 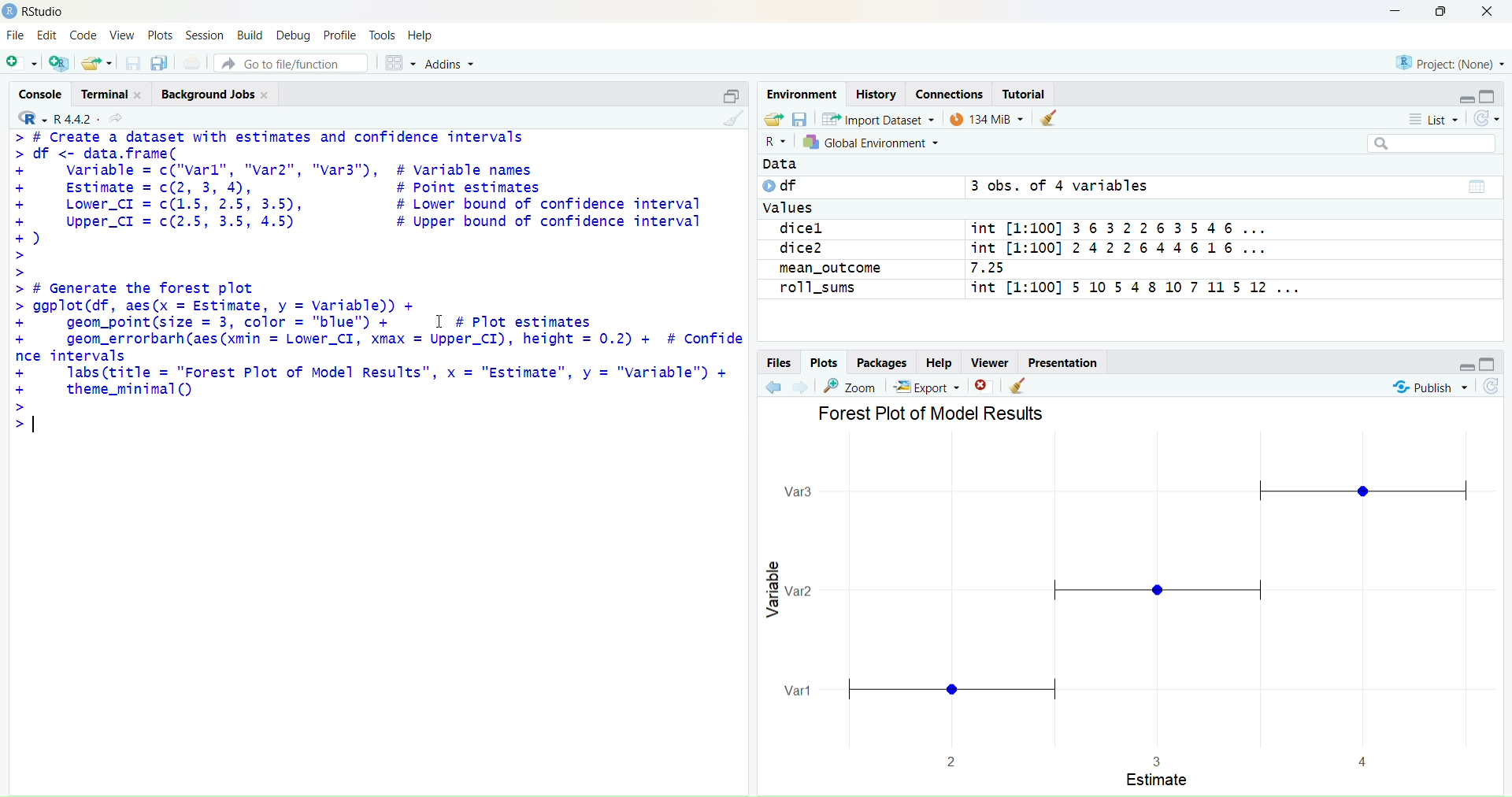 What do you see at coordinates (115, 118) in the screenshot?
I see `share current directory` at bounding box center [115, 118].